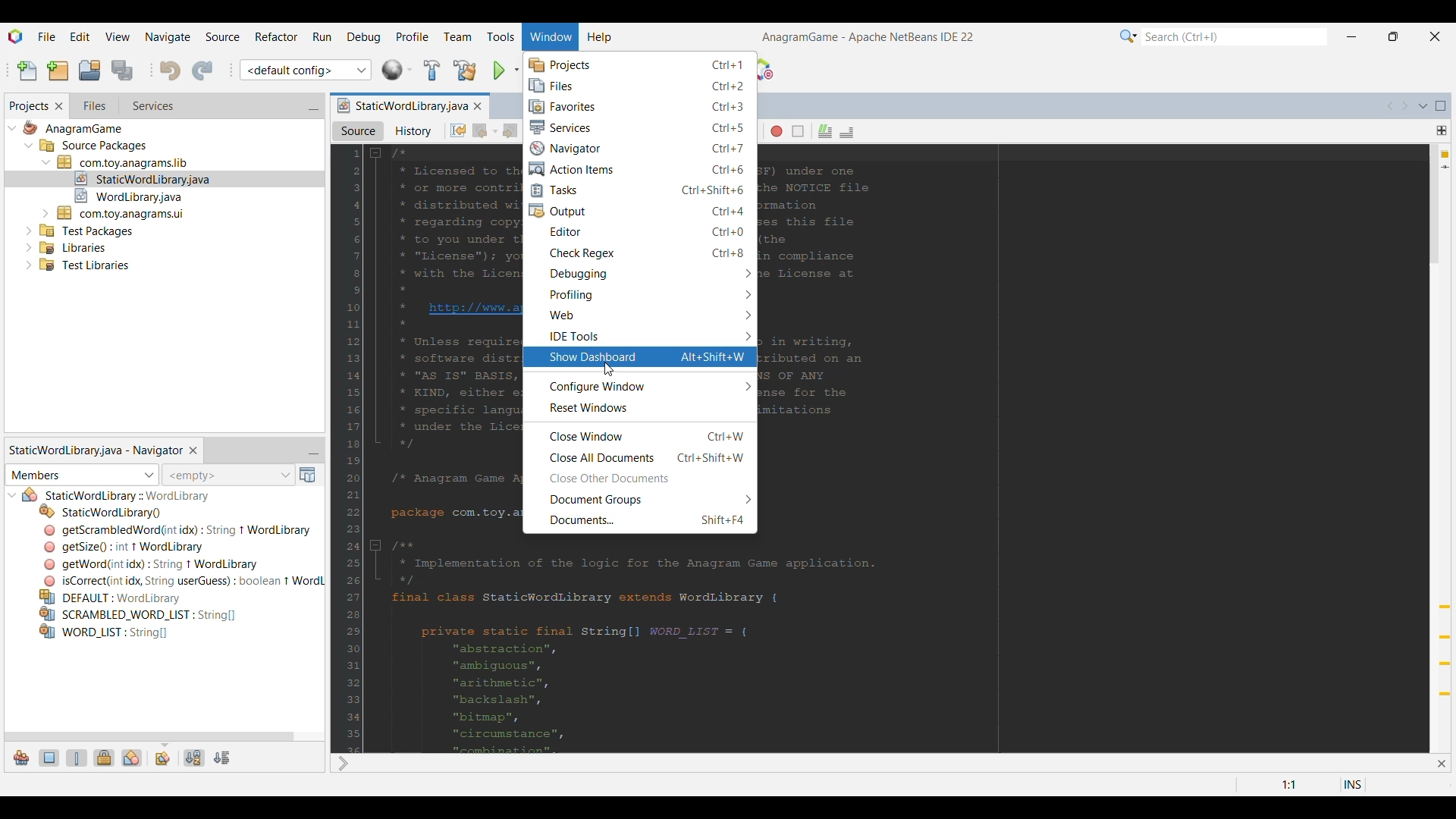 This screenshot has height=819, width=1456. I want to click on Action items, so click(639, 169).